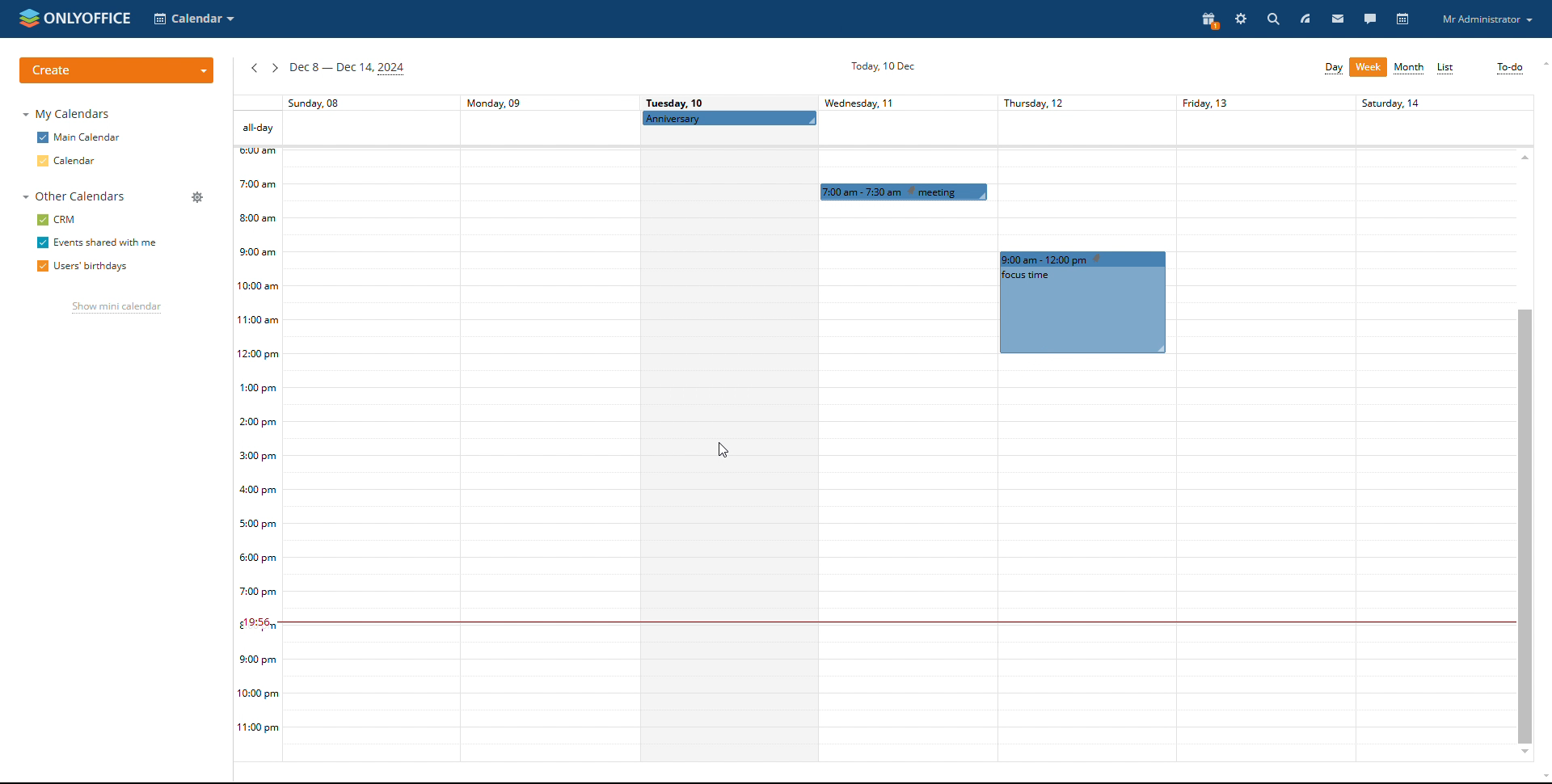  I want to click on monday, so click(547, 428).